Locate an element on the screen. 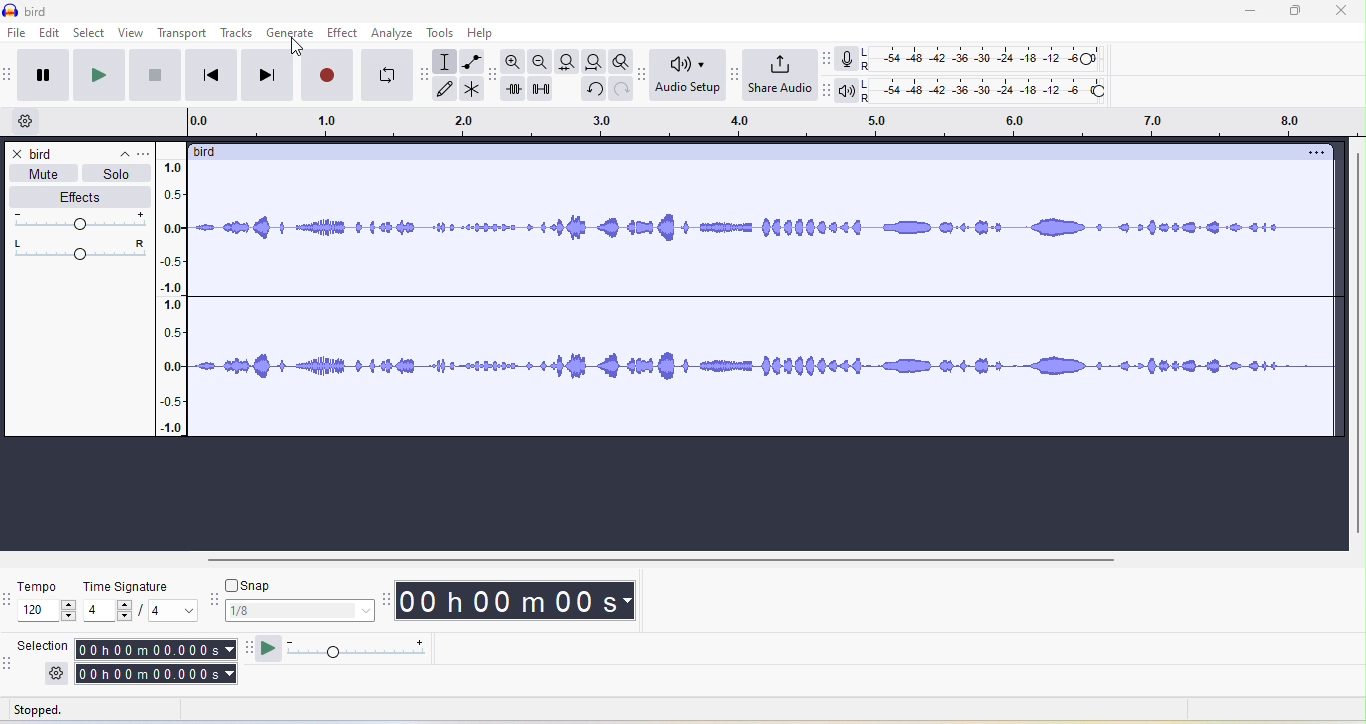  close is located at coordinates (18, 154).